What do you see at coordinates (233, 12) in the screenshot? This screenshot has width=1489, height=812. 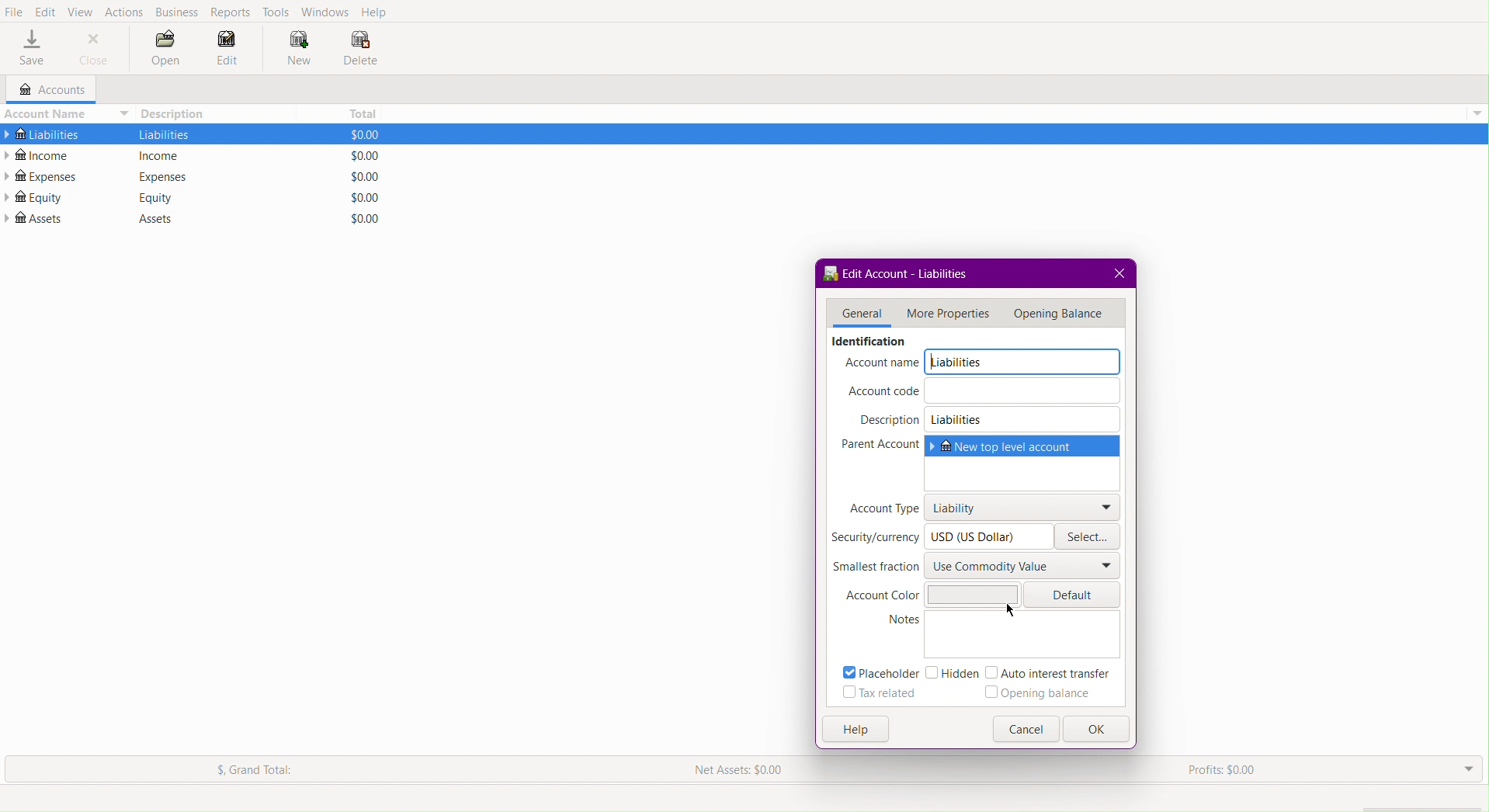 I see `Reports` at bounding box center [233, 12].